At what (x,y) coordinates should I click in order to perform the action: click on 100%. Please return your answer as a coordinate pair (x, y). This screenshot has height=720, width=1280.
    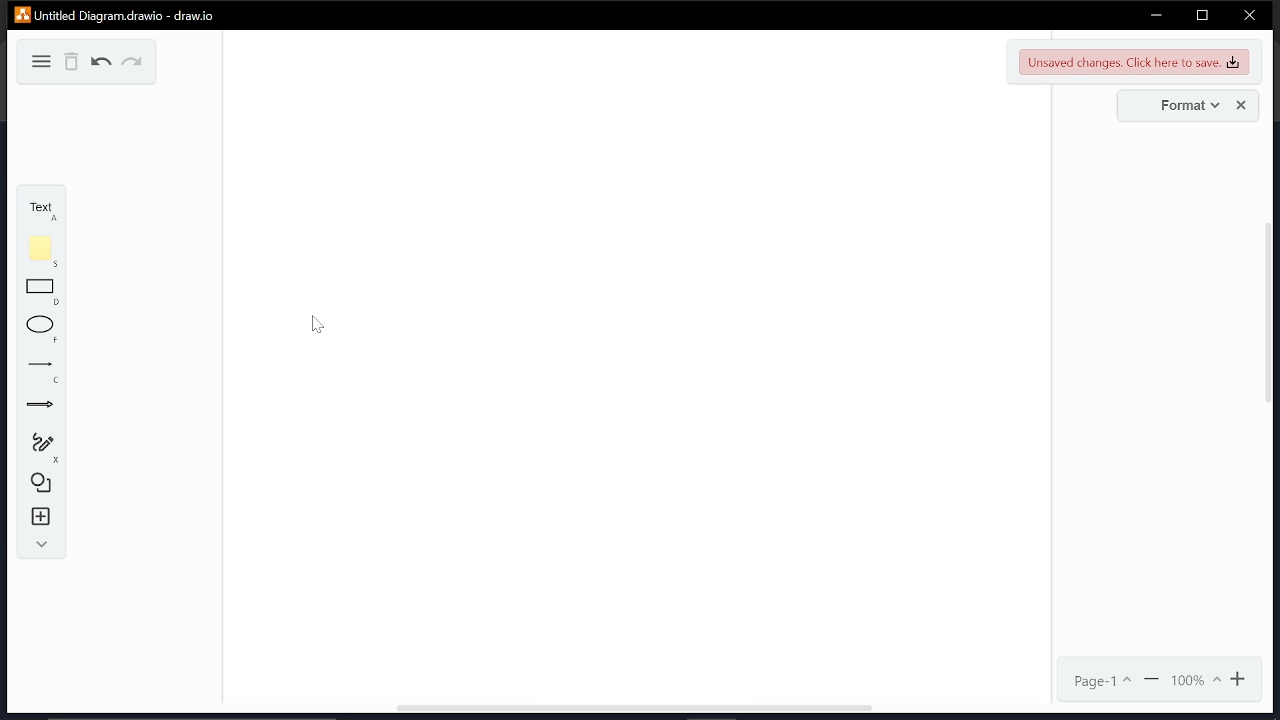
    Looking at the image, I should click on (1195, 680).